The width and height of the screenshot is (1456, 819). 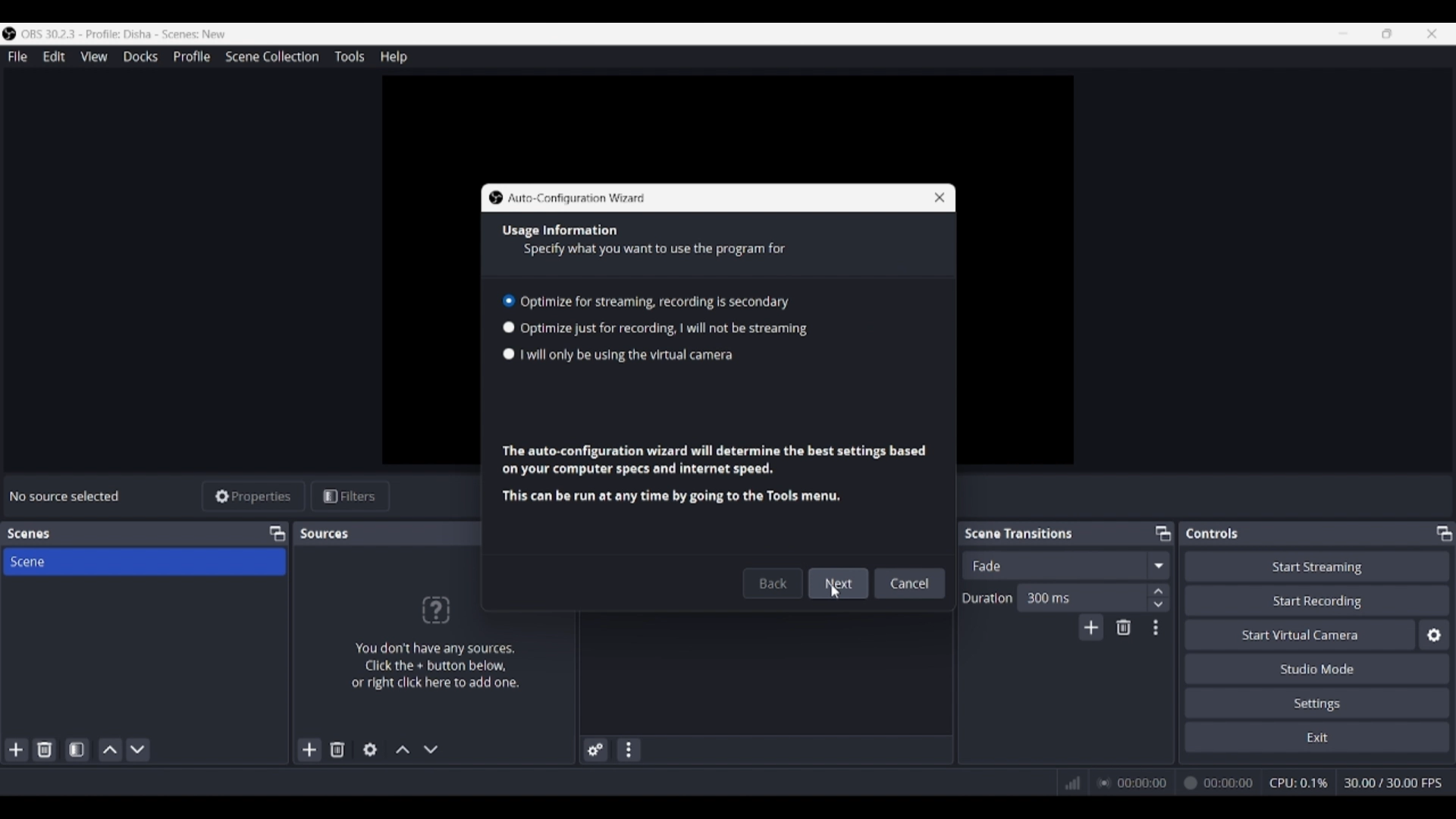 What do you see at coordinates (838, 583) in the screenshot?
I see `Next` at bounding box center [838, 583].